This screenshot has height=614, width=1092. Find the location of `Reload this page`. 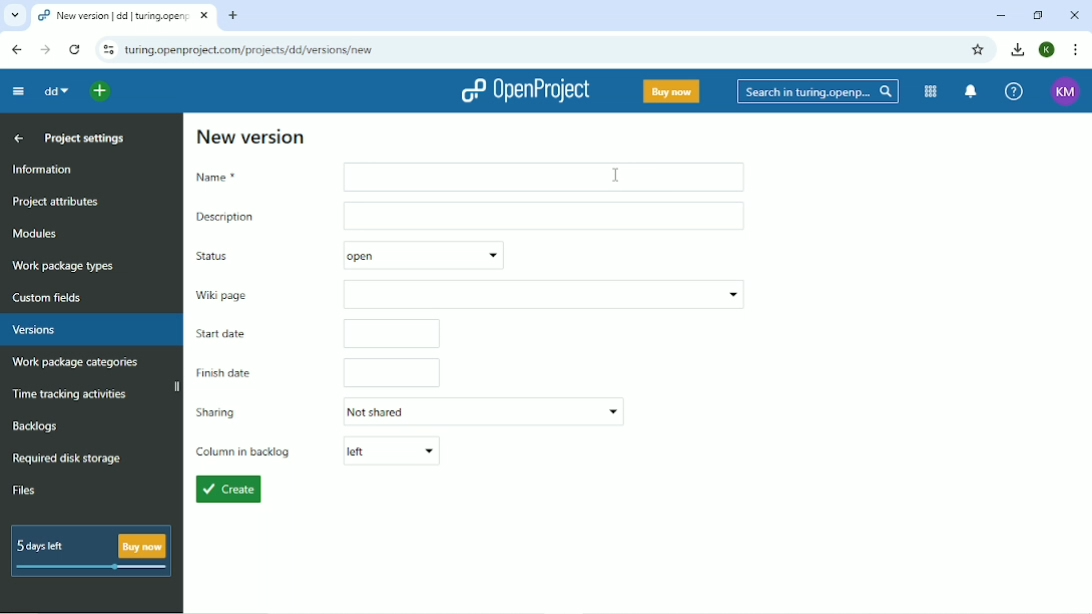

Reload this page is located at coordinates (74, 50).